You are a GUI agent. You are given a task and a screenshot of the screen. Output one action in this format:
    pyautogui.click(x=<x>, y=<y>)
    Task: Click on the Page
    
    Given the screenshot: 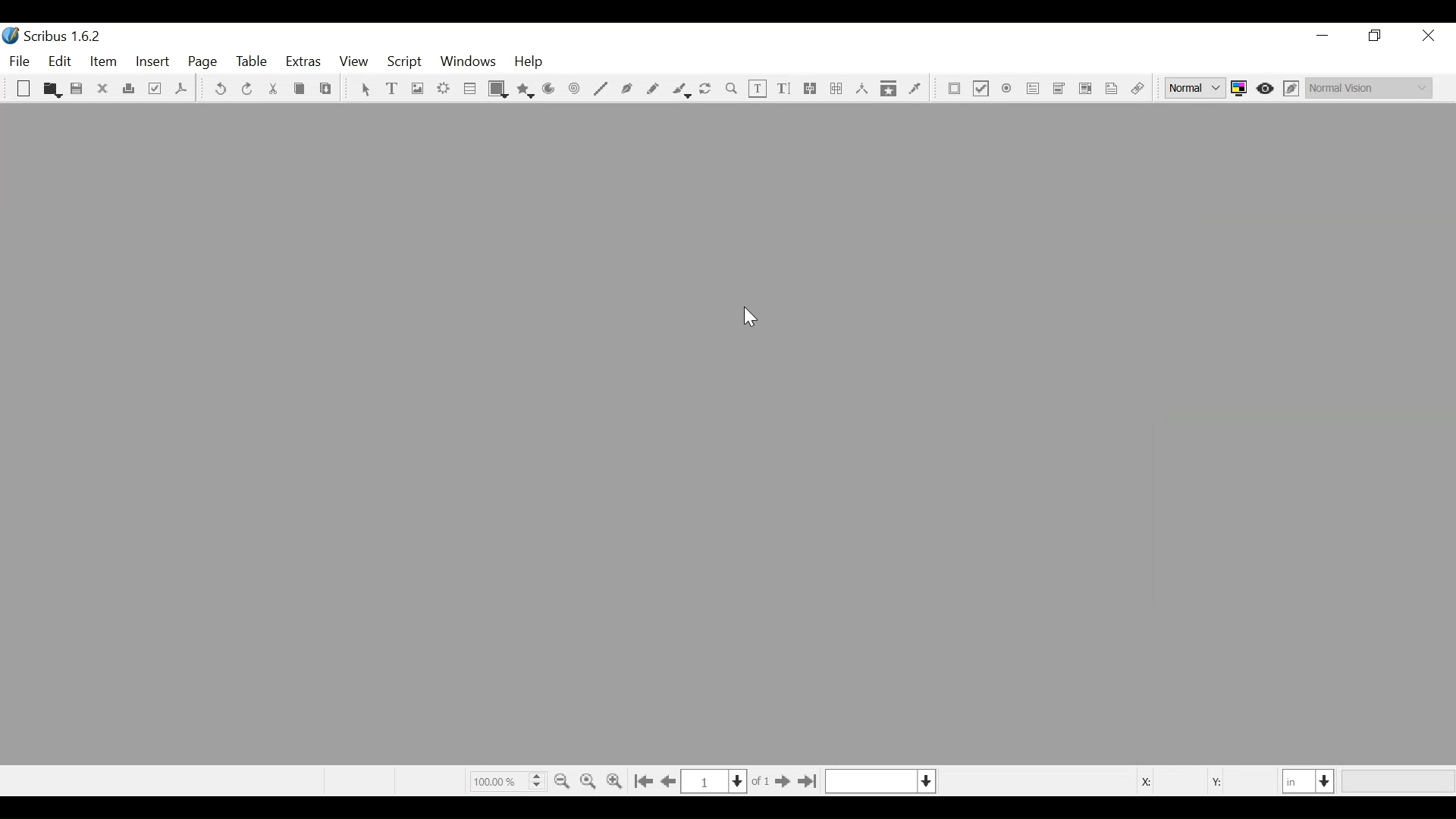 What is the action you would take?
    pyautogui.click(x=203, y=63)
    